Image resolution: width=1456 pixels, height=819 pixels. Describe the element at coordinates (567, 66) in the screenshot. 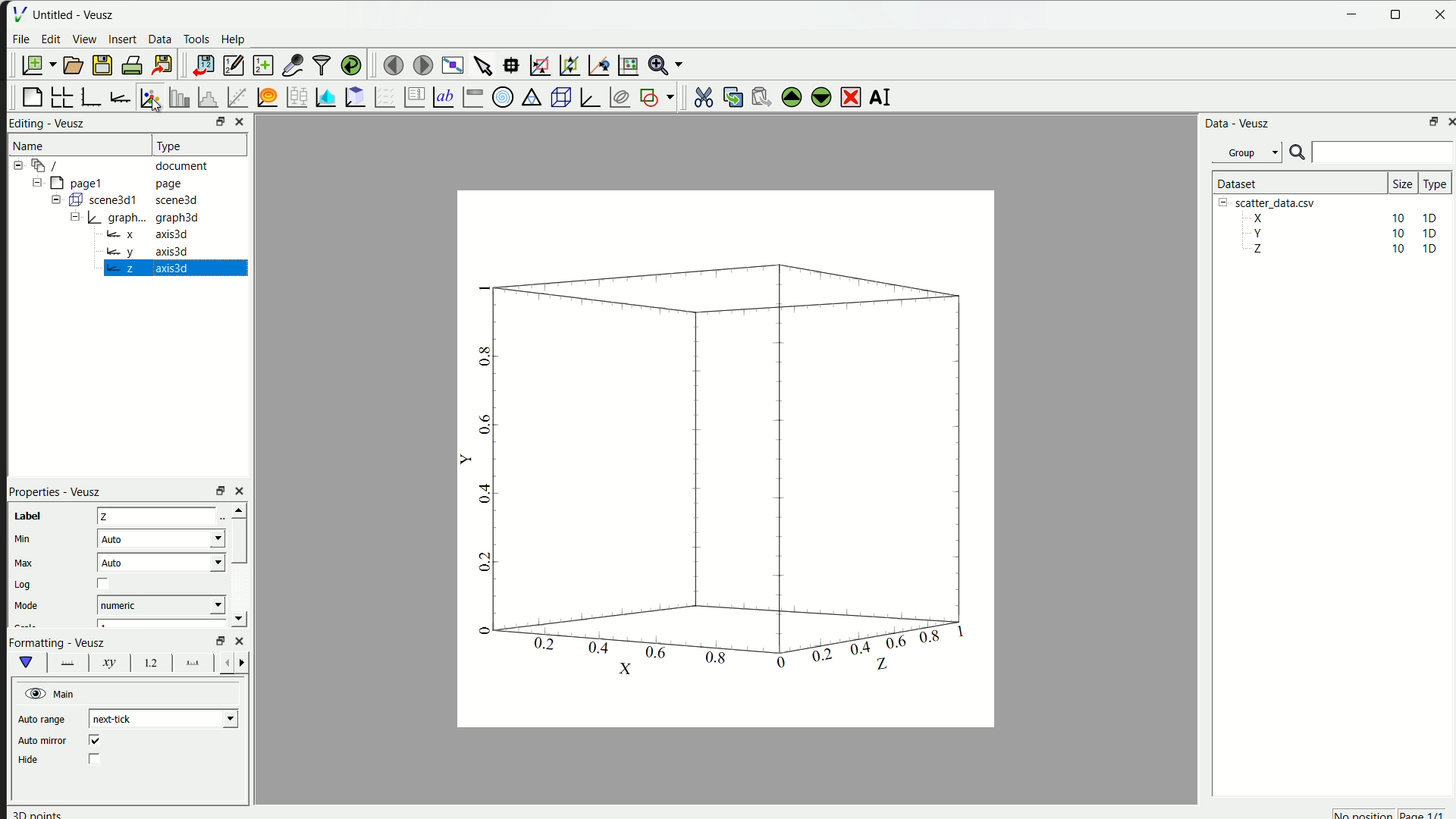

I see `zoom out graph axes` at that location.